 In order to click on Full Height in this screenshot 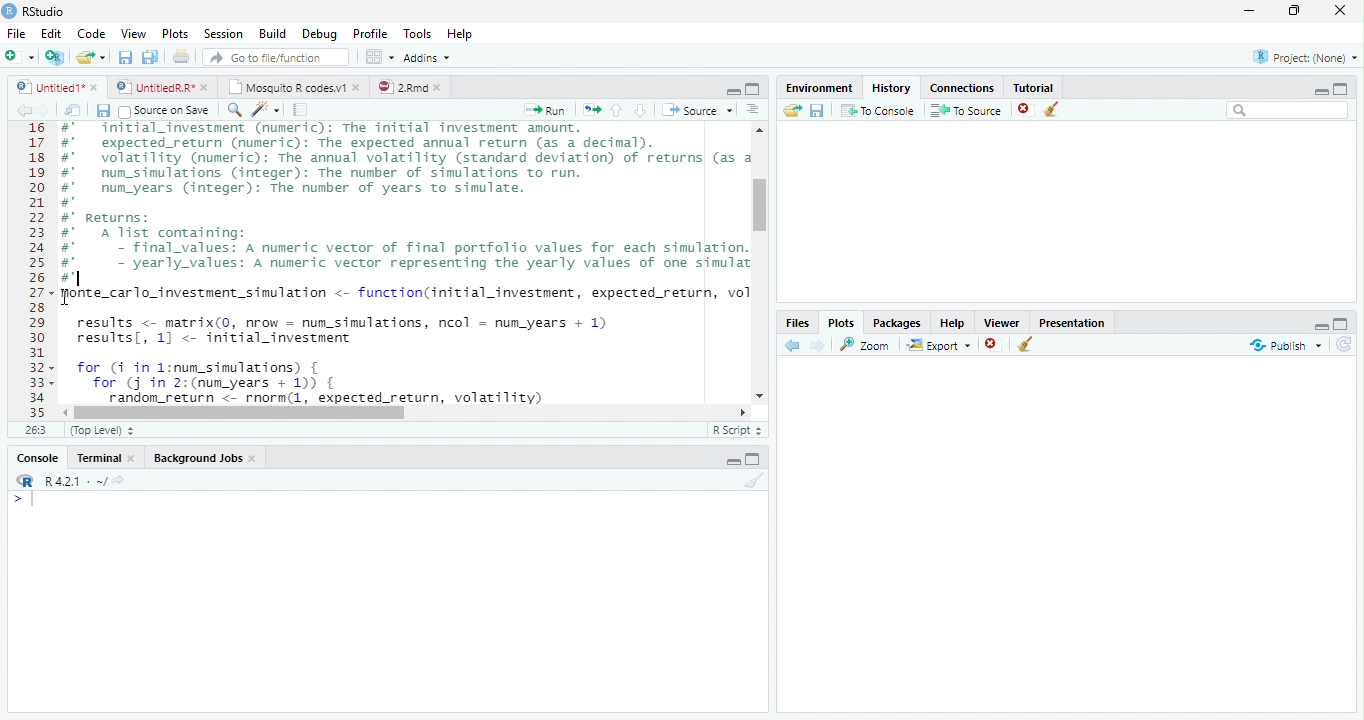, I will do `click(1343, 322)`.